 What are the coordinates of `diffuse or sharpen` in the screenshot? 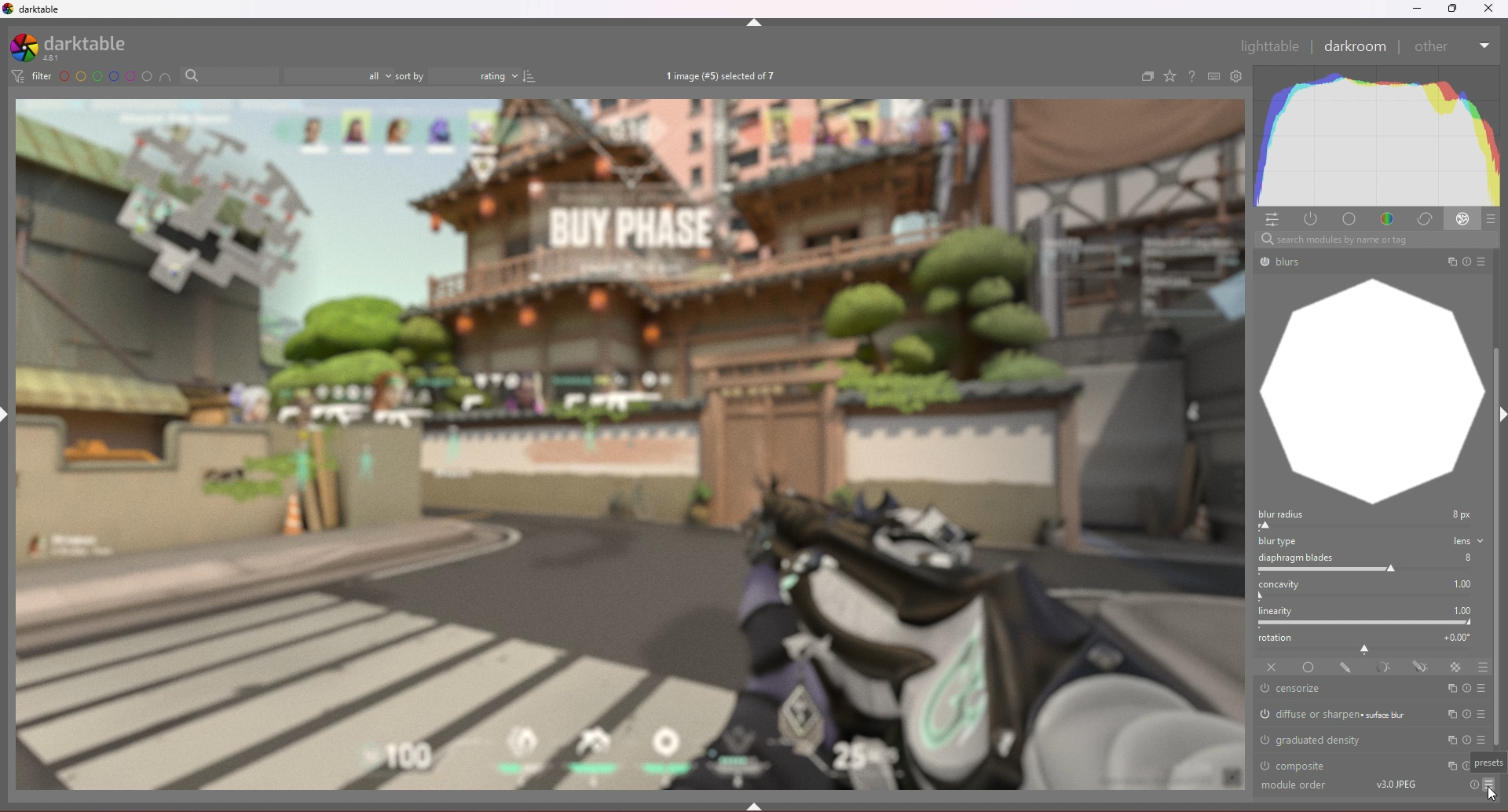 It's located at (1338, 715).